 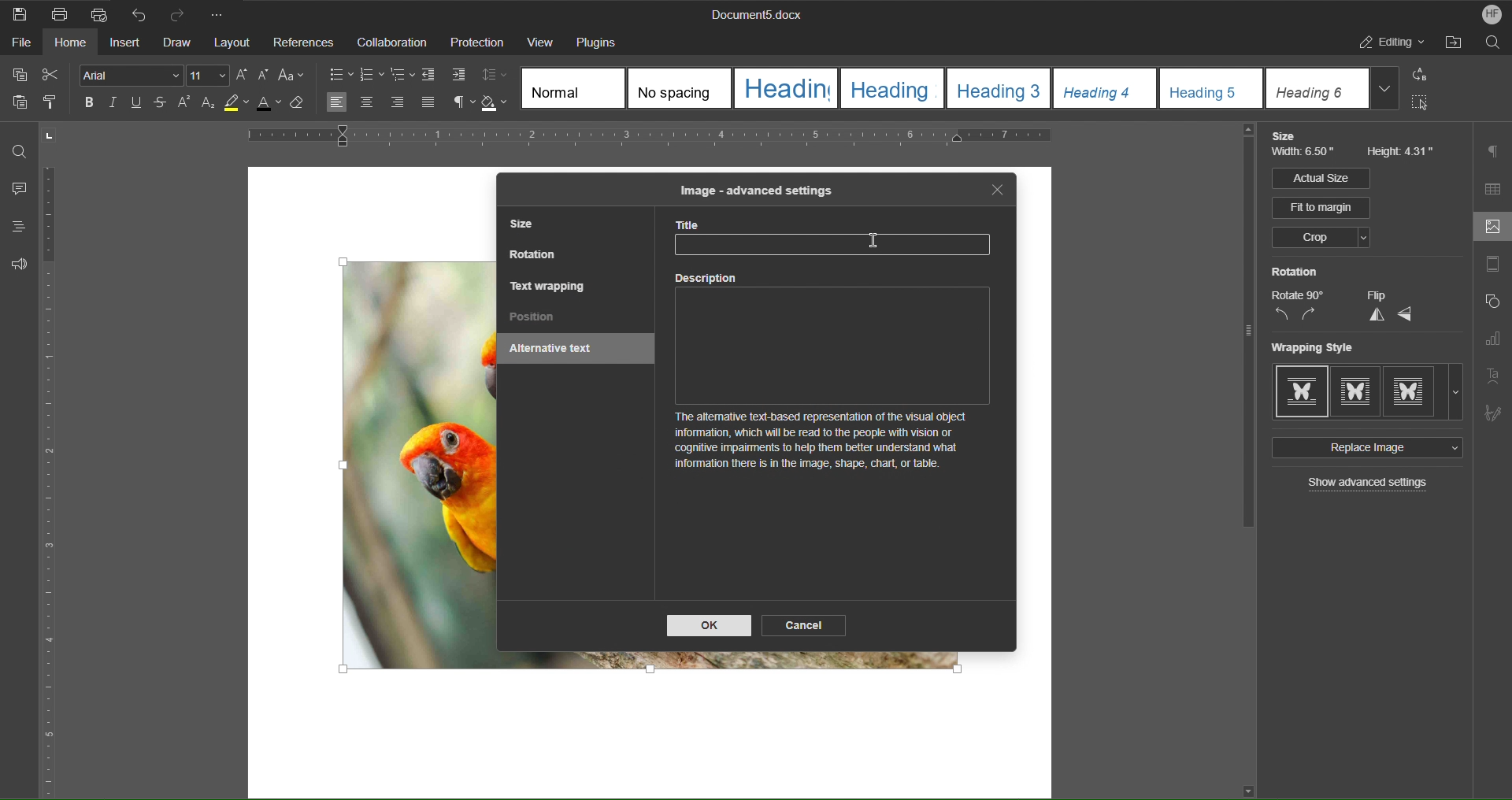 I want to click on Open File Location, so click(x=1456, y=45).